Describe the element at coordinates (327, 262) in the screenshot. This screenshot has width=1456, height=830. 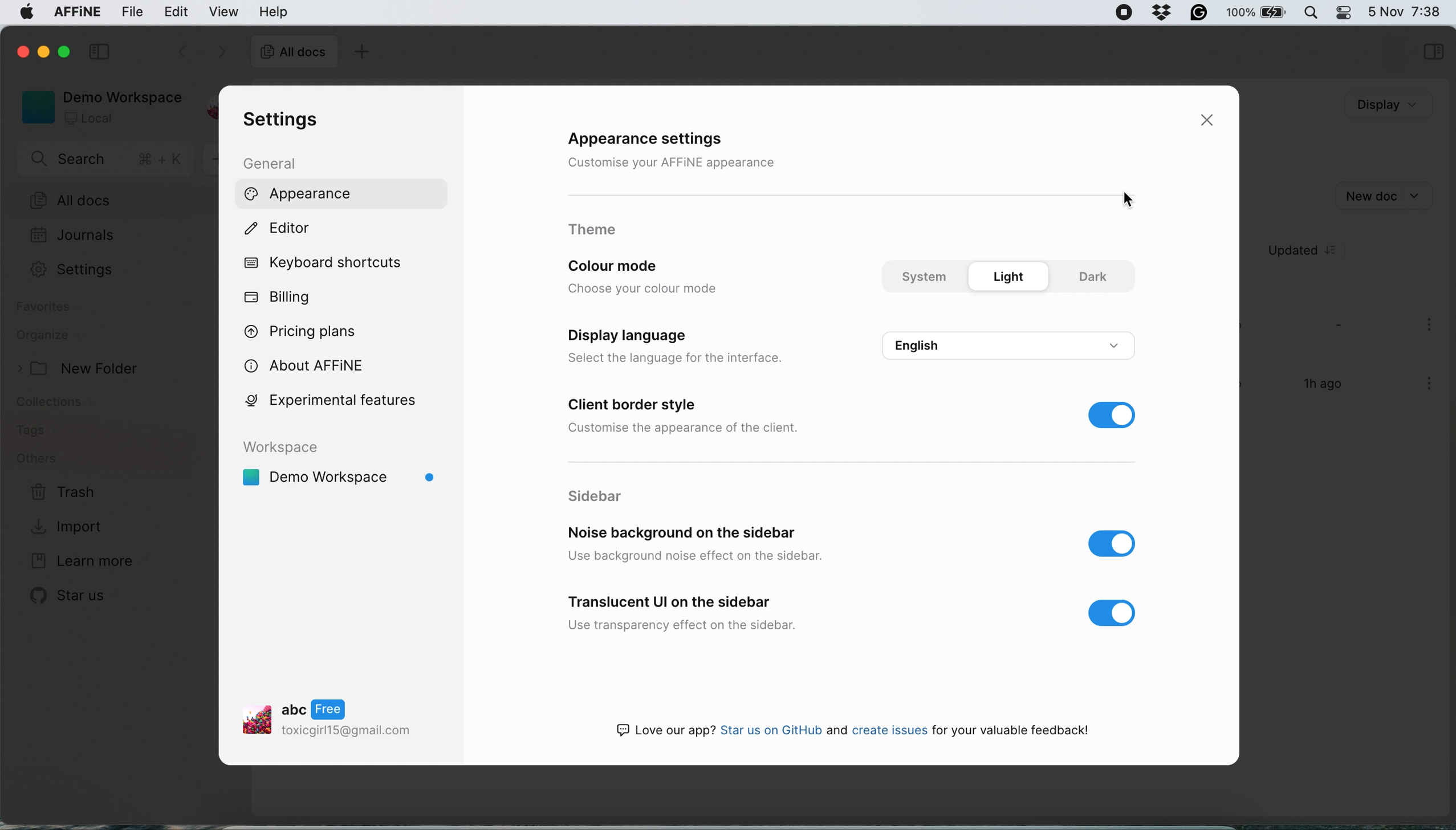
I see `keyboard shortcuts` at that location.